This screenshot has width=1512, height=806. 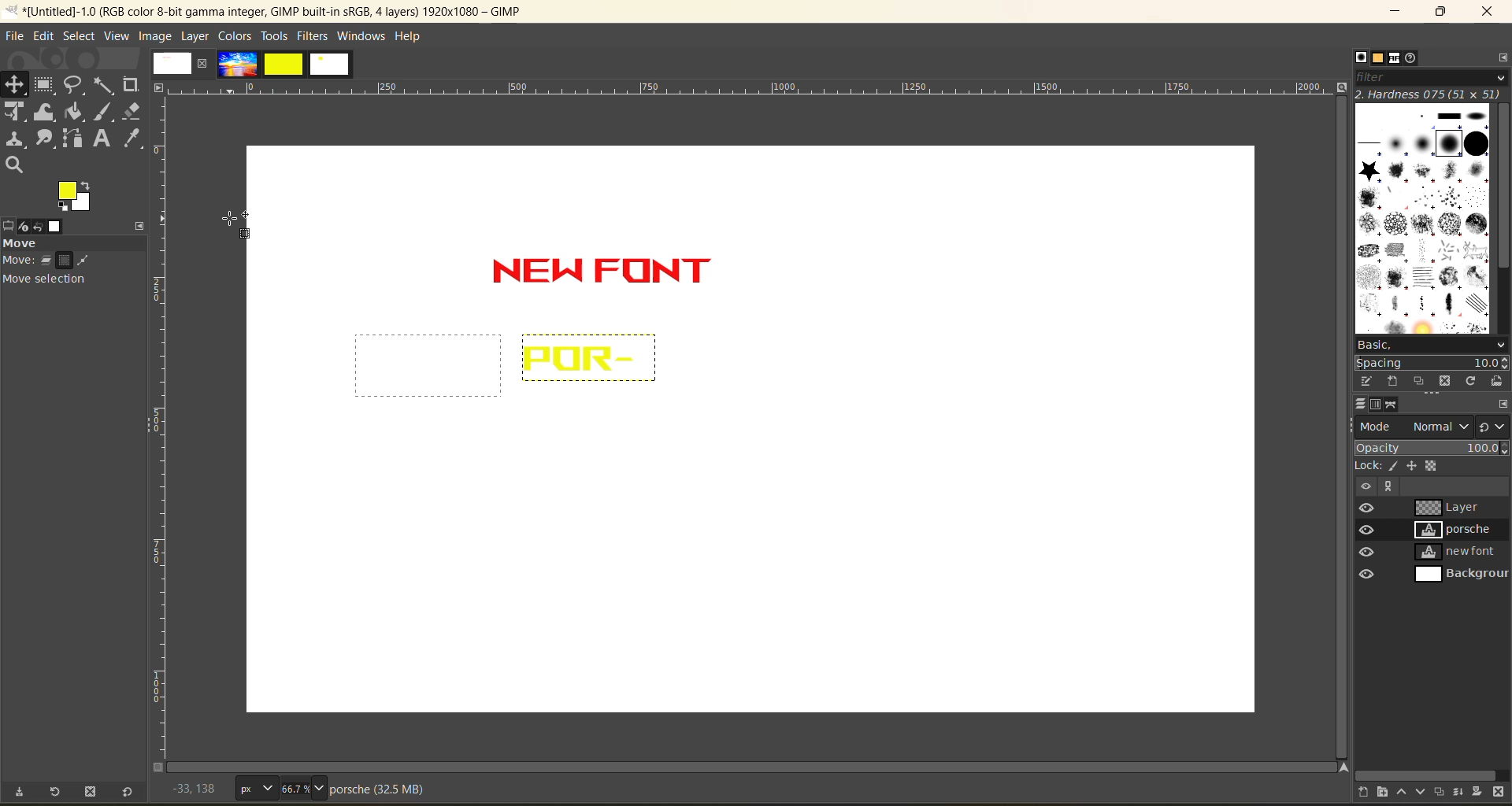 I want to click on metadata, so click(x=378, y=789).